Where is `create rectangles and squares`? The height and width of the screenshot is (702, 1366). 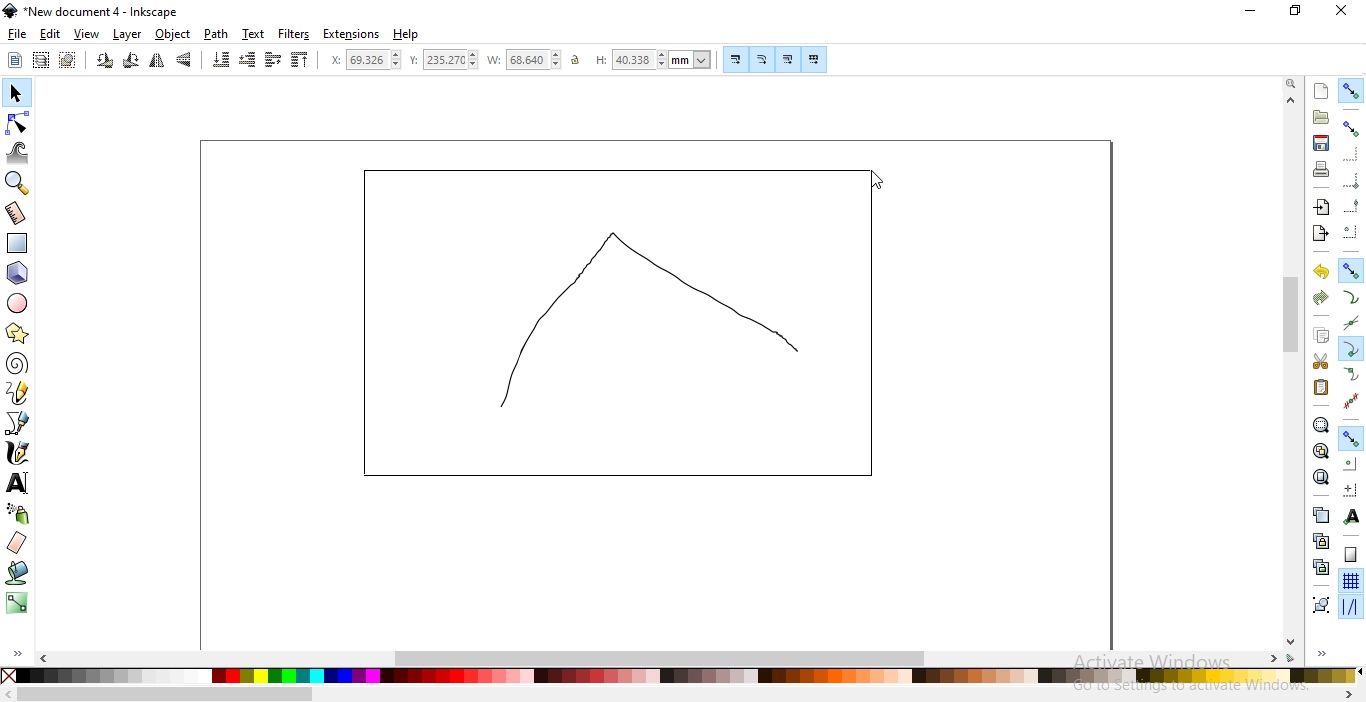 create rectangles and squares is located at coordinates (16, 243).